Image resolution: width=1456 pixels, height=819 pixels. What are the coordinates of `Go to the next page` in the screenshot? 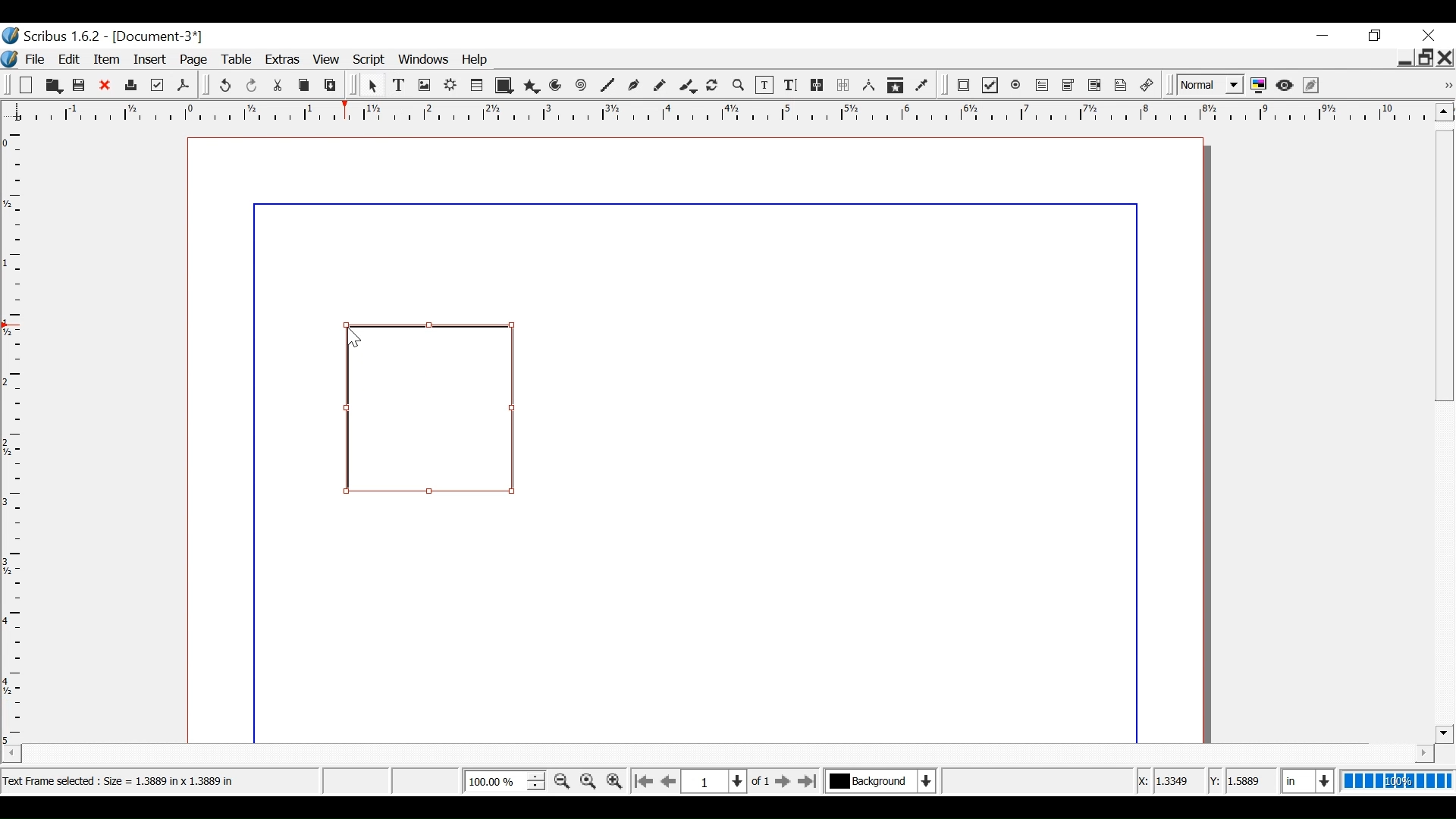 It's located at (782, 781).